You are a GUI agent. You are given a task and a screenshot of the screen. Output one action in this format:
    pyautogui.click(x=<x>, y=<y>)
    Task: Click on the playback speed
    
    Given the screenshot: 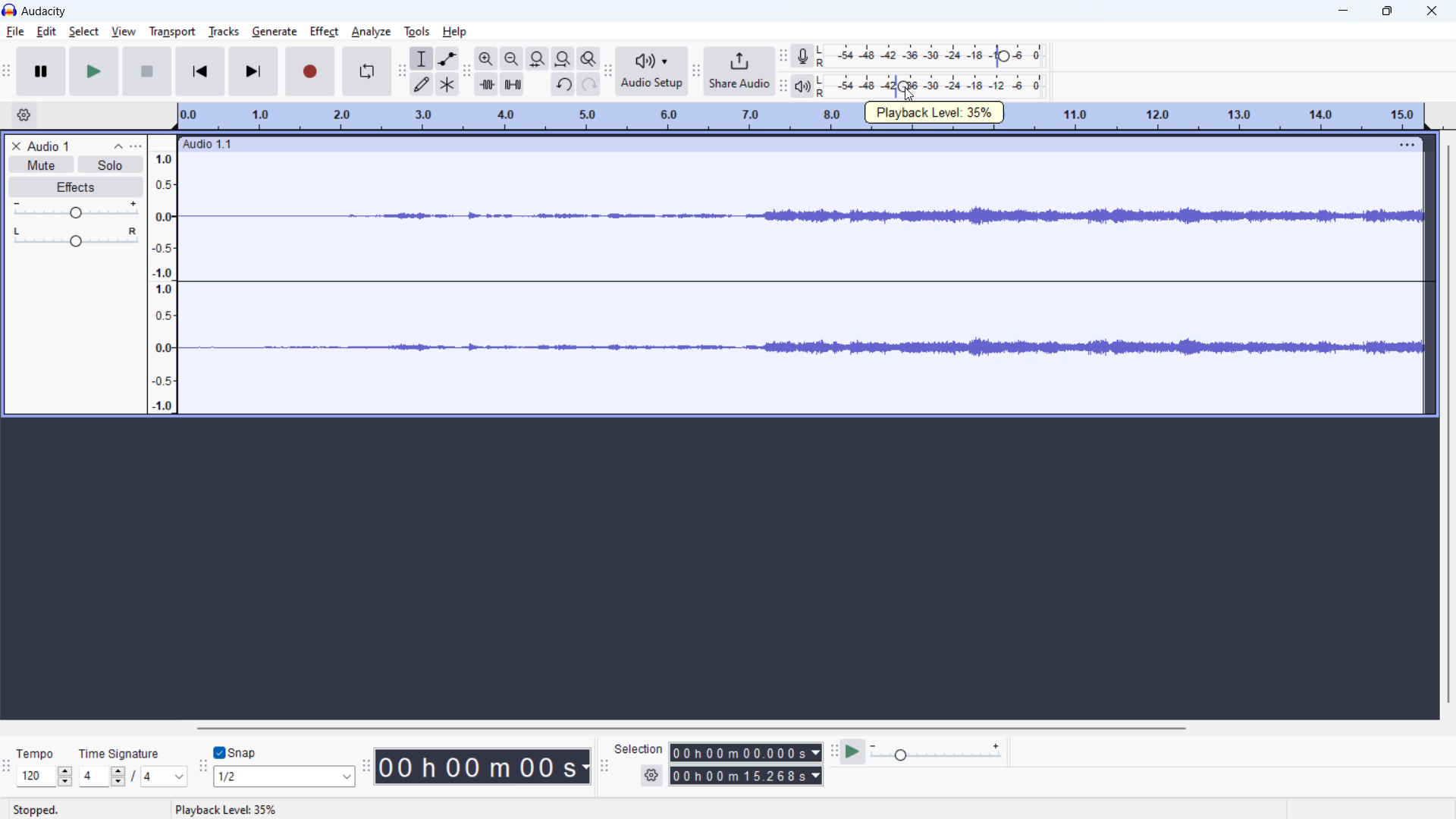 What is the action you would take?
    pyautogui.click(x=936, y=752)
    